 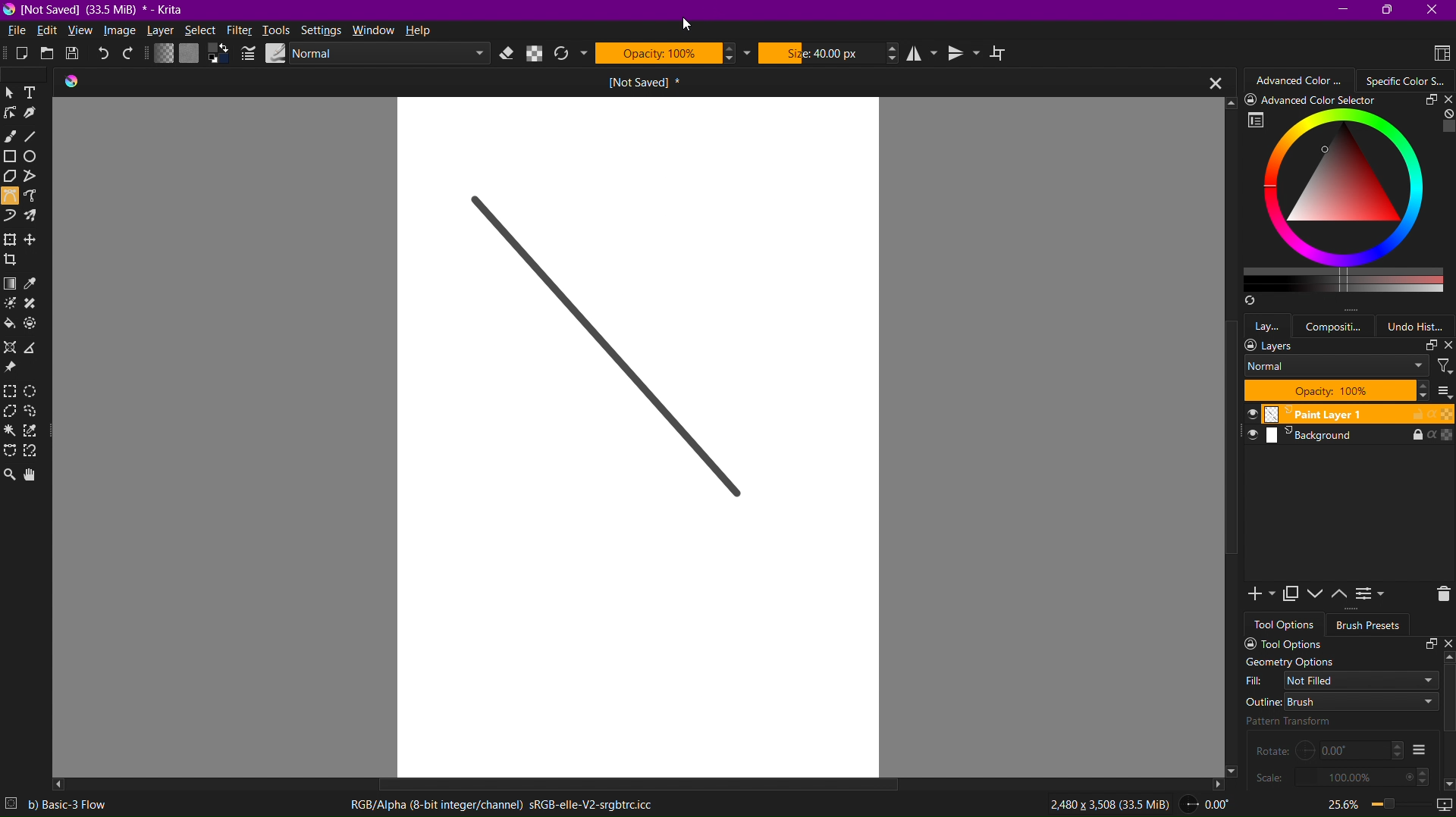 I want to click on View, so click(x=80, y=32).